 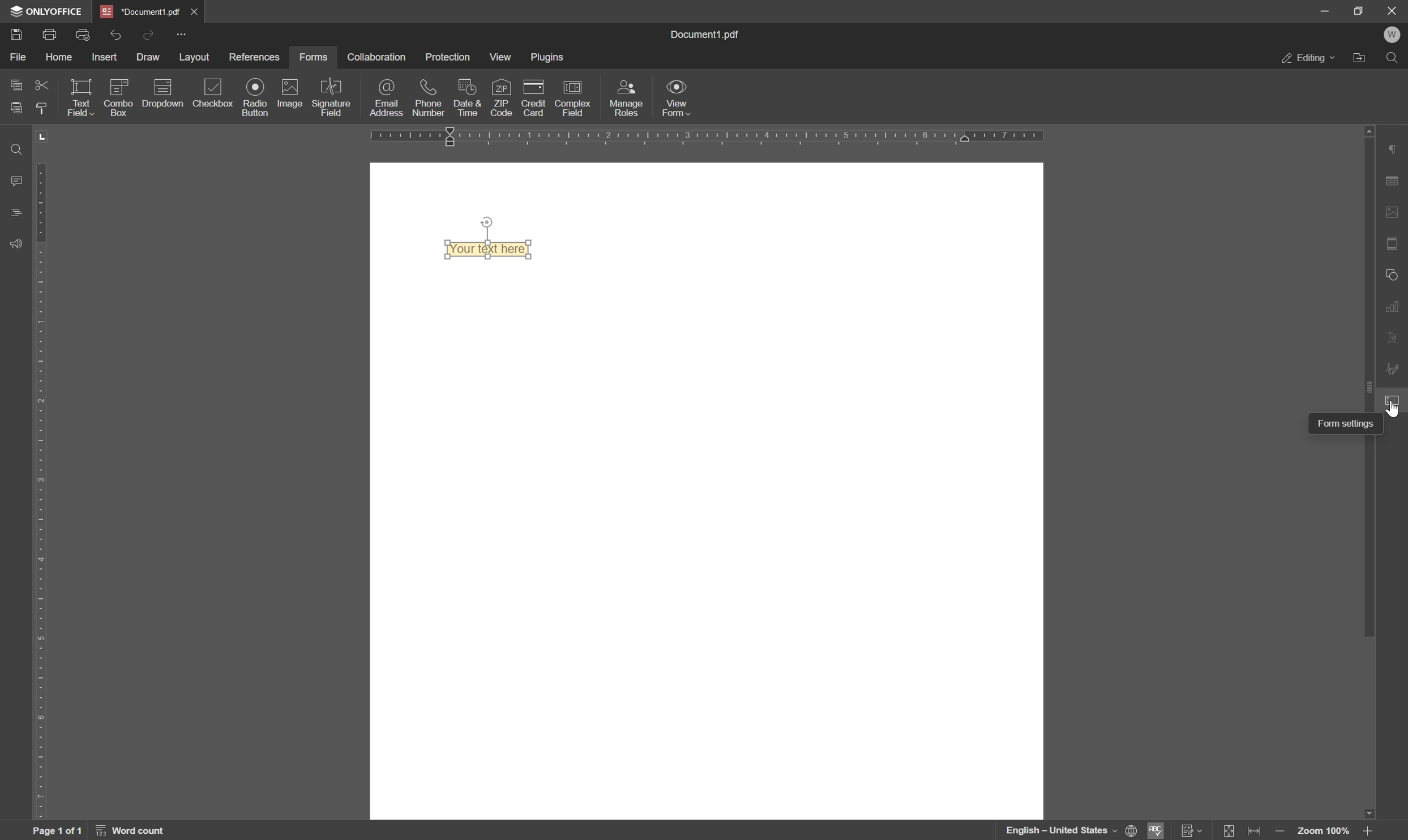 What do you see at coordinates (576, 97) in the screenshot?
I see `complex field` at bounding box center [576, 97].